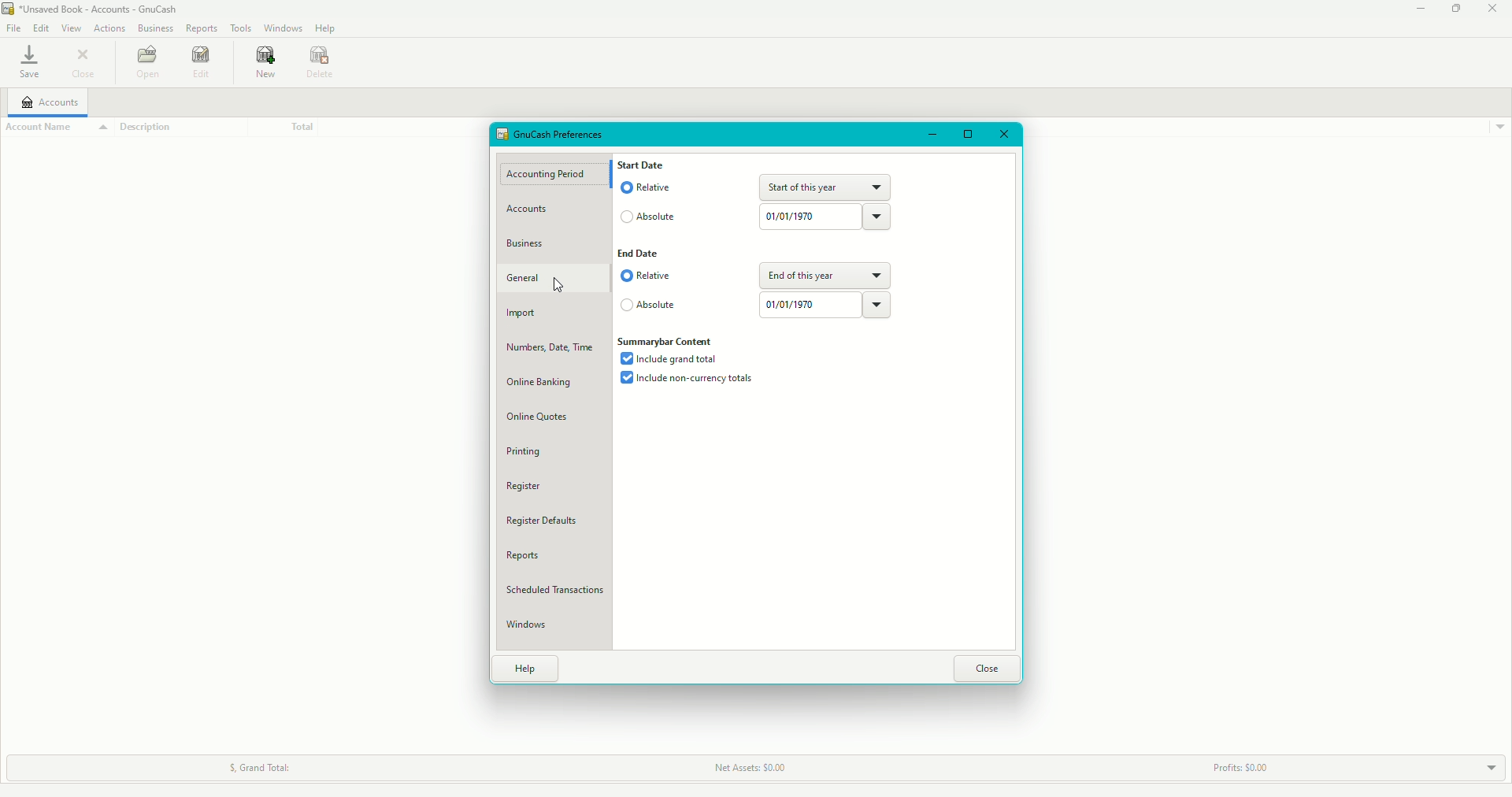  What do you see at coordinates (144, 61) in the screenshot?
I see `Open` at bounding box center [144, 61].